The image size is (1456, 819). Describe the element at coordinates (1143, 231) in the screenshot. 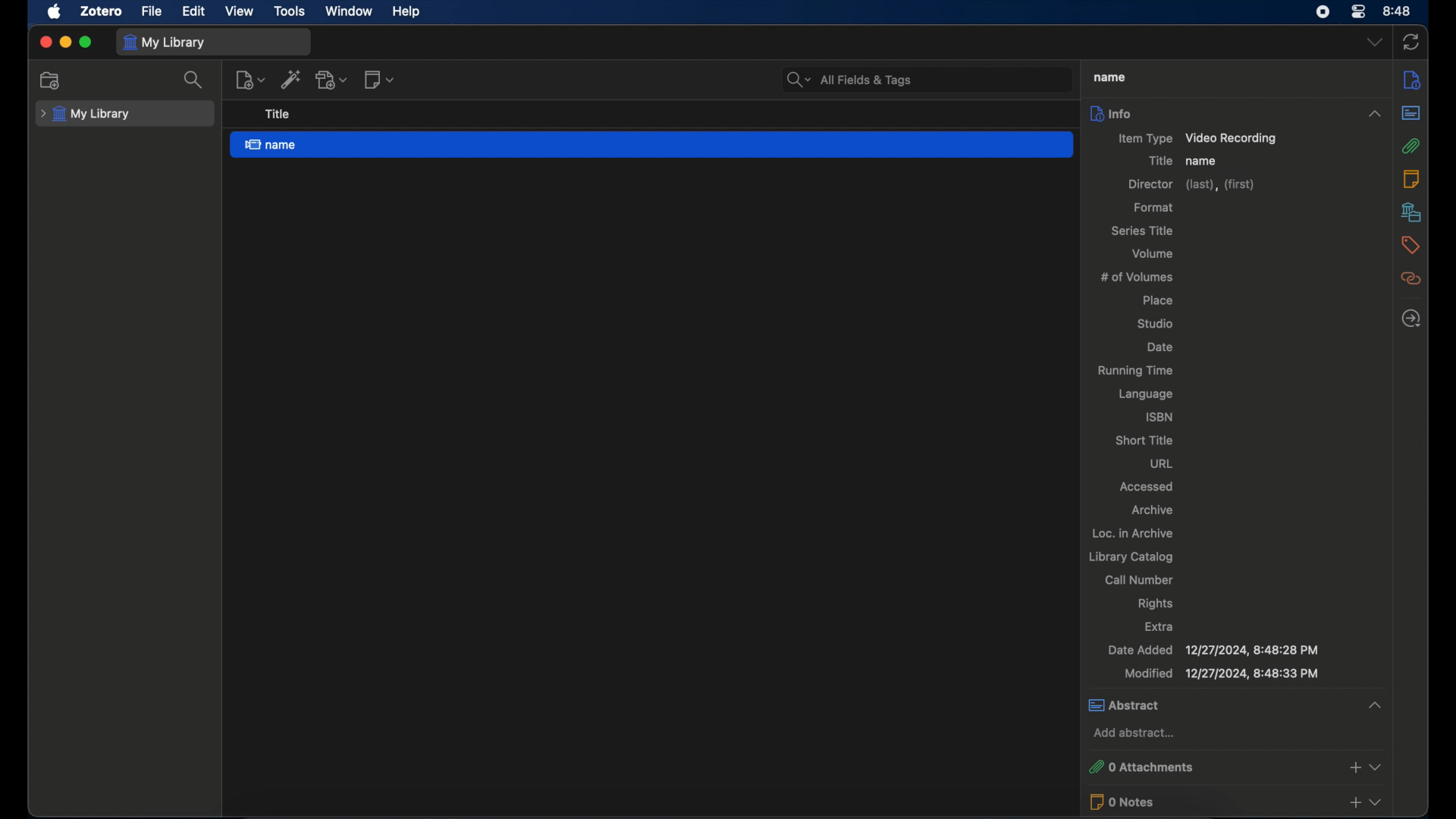

I see `series title` at that location.